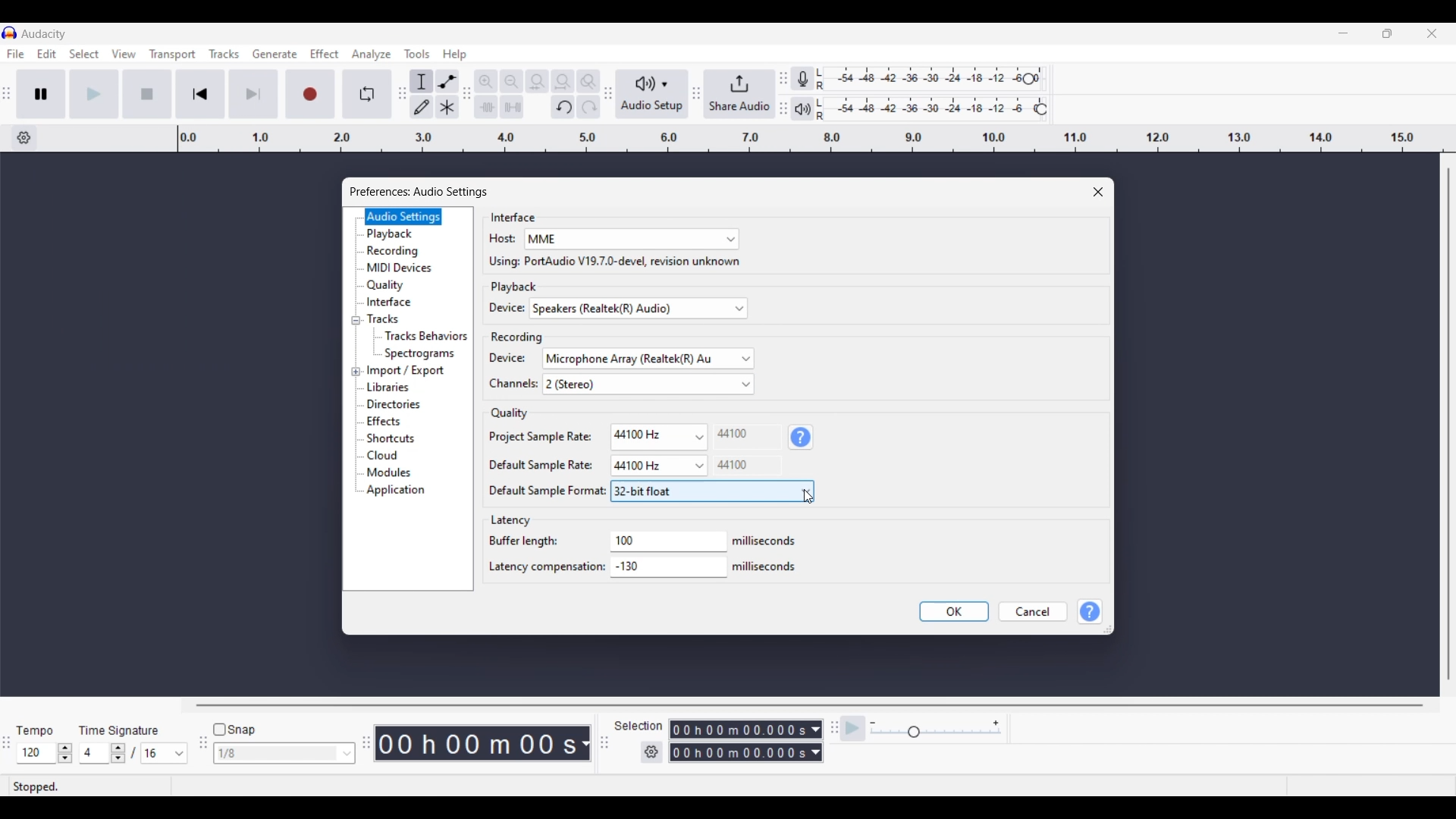  I want to click on Zoom in, so click(485, 81).